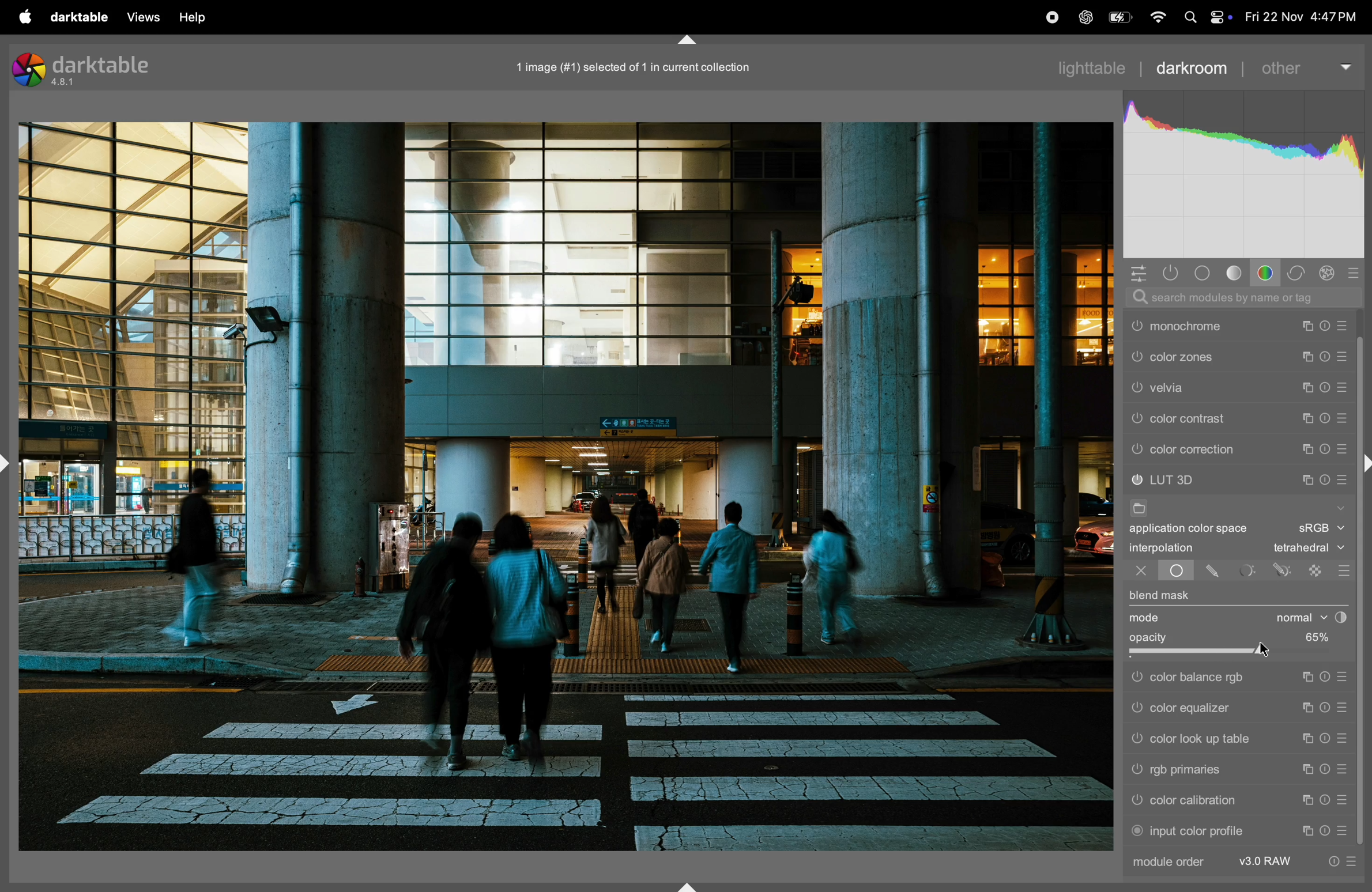  What do you see at coordinates (1326, 448) in the screenshot?
I see `reset` at bounding box center [1326, 448].